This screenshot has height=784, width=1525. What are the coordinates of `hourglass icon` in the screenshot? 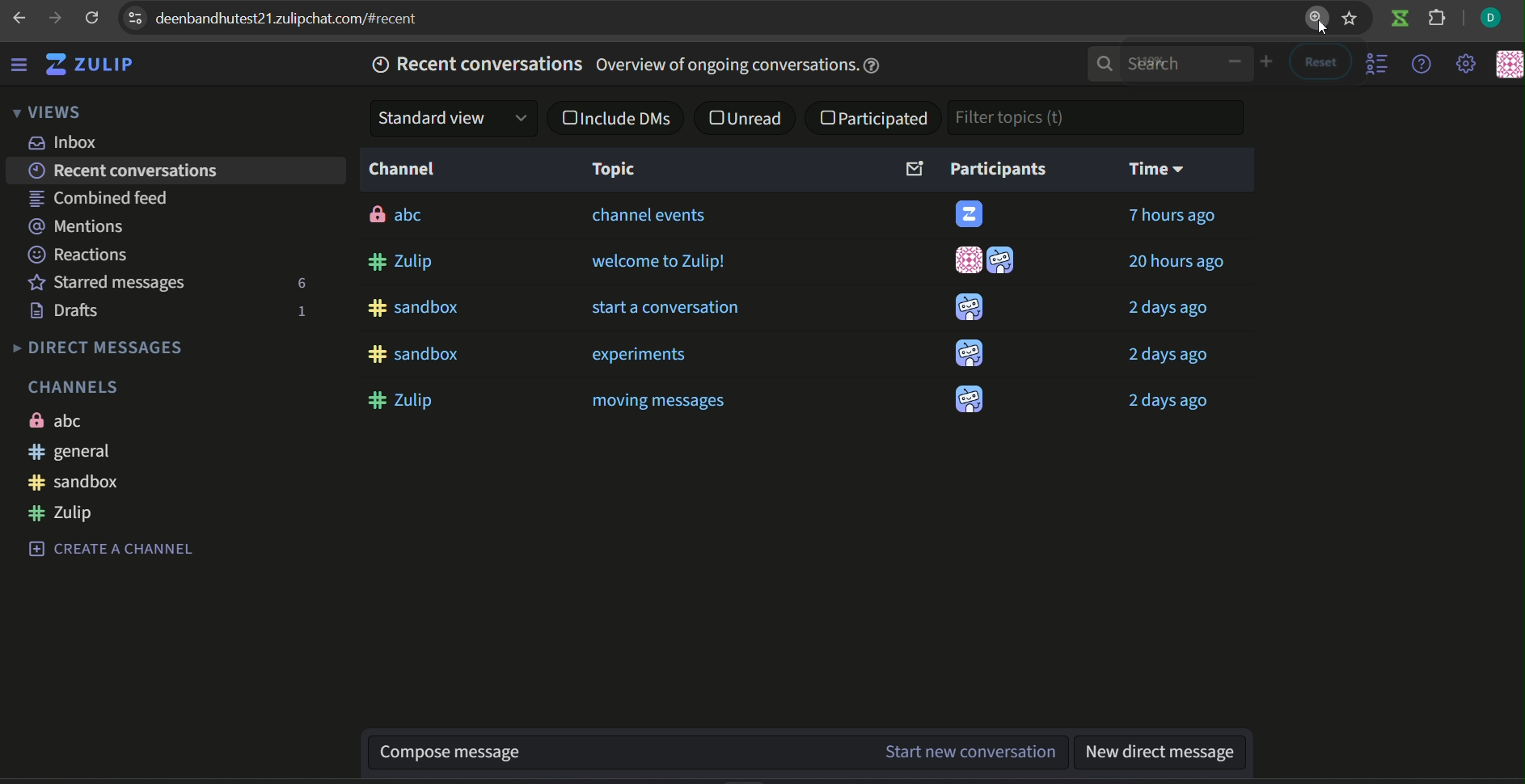 It's located at (1399, 20).